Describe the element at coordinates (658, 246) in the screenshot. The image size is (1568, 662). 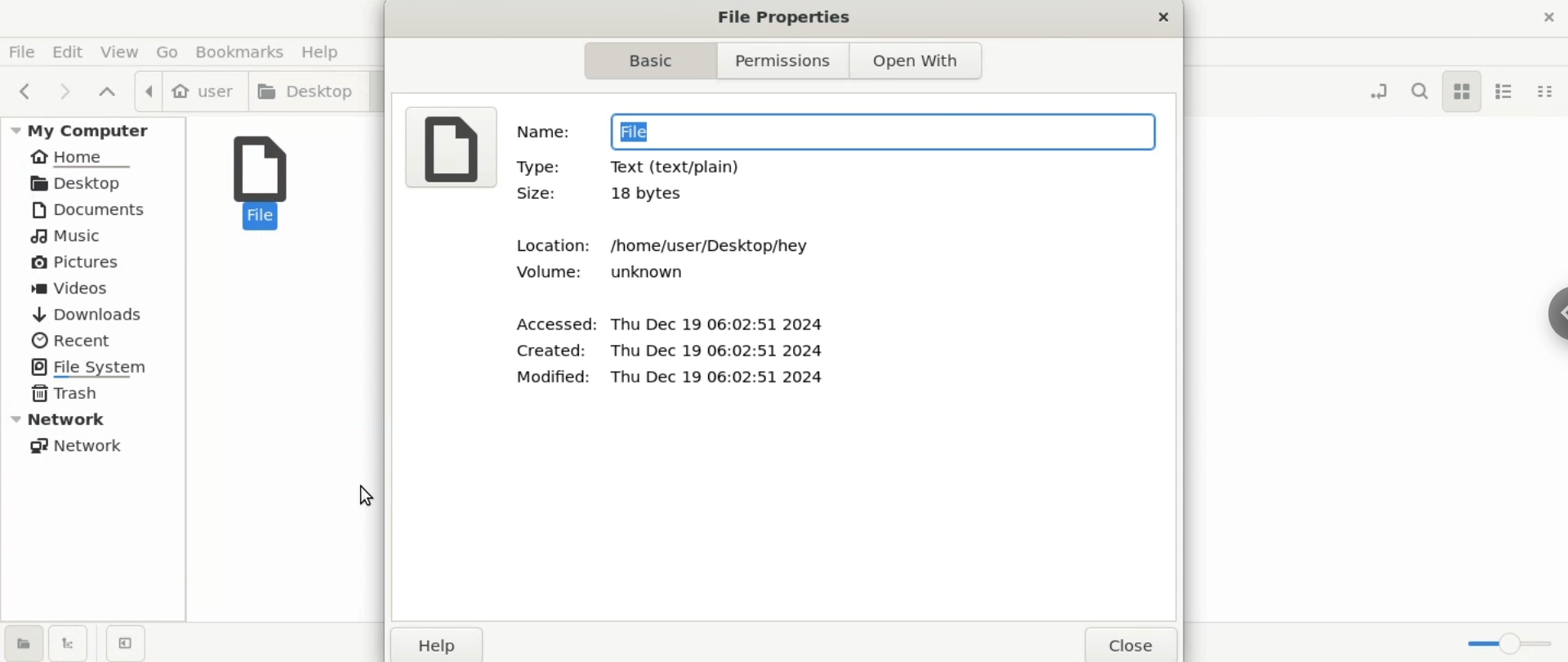
I see `location /home/user/desktop/hey` at that location.